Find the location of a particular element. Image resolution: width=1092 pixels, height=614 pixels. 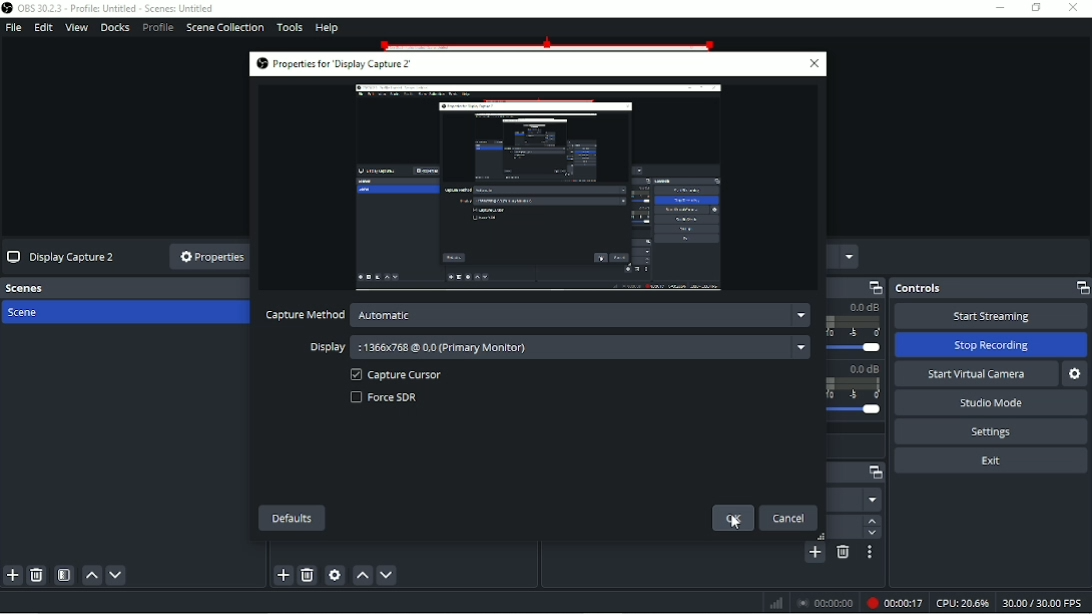

Fade menu is located at coordinates (857, 499).